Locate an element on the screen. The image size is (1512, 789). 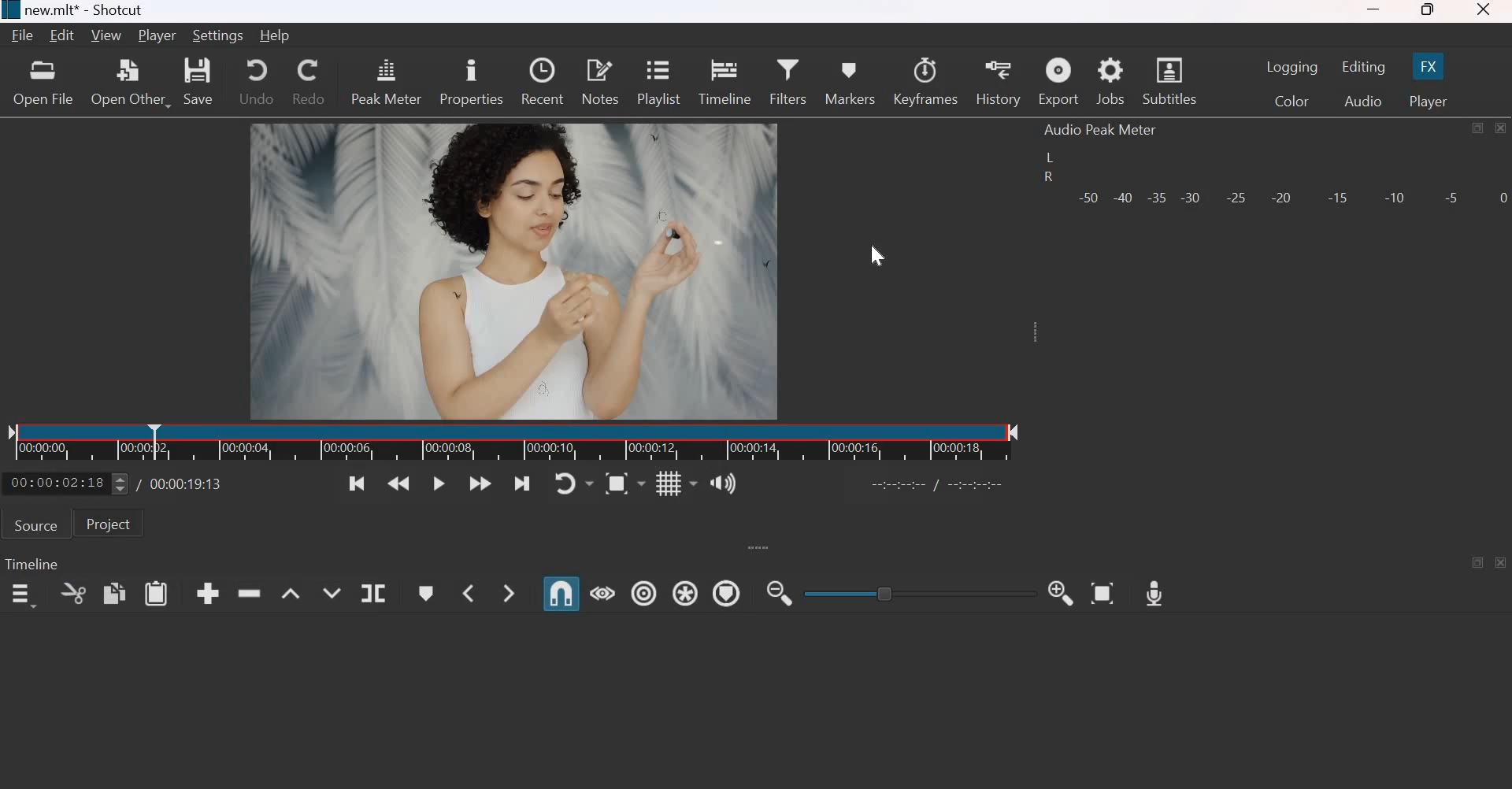
Jobs is located at coordinates (1110, 82).